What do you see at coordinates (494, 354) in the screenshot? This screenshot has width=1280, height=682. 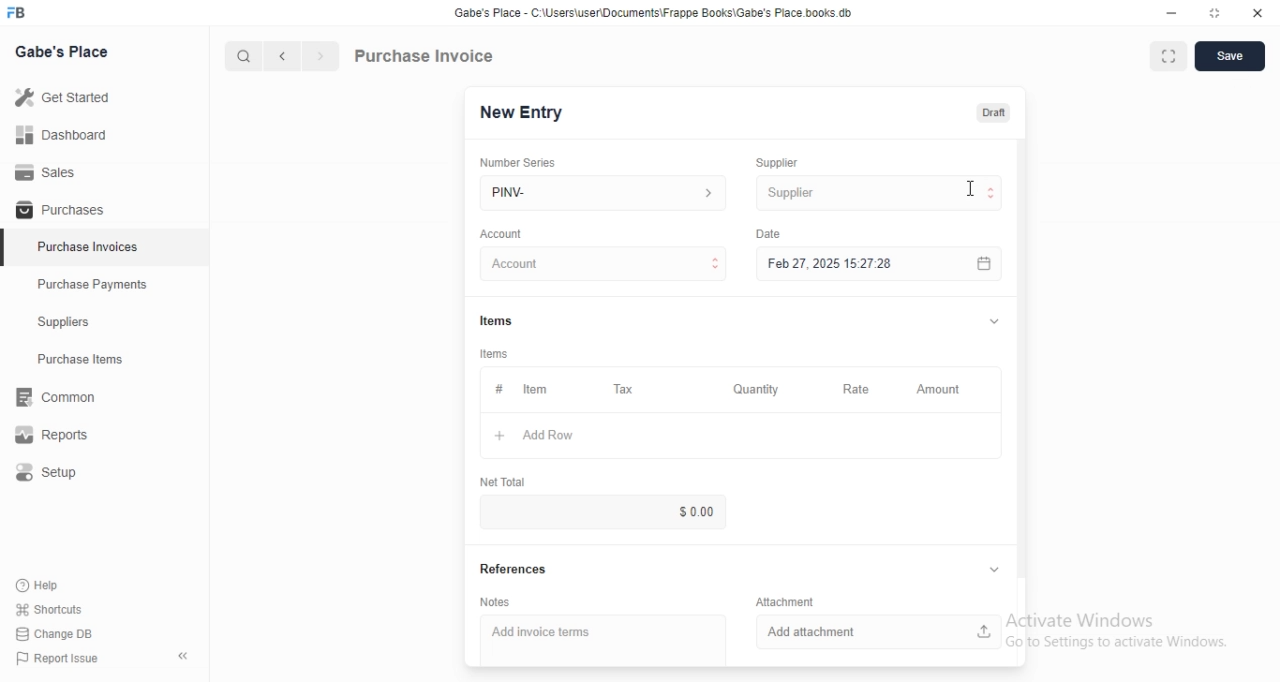 I see `Items` at bounding box center [494, 354].